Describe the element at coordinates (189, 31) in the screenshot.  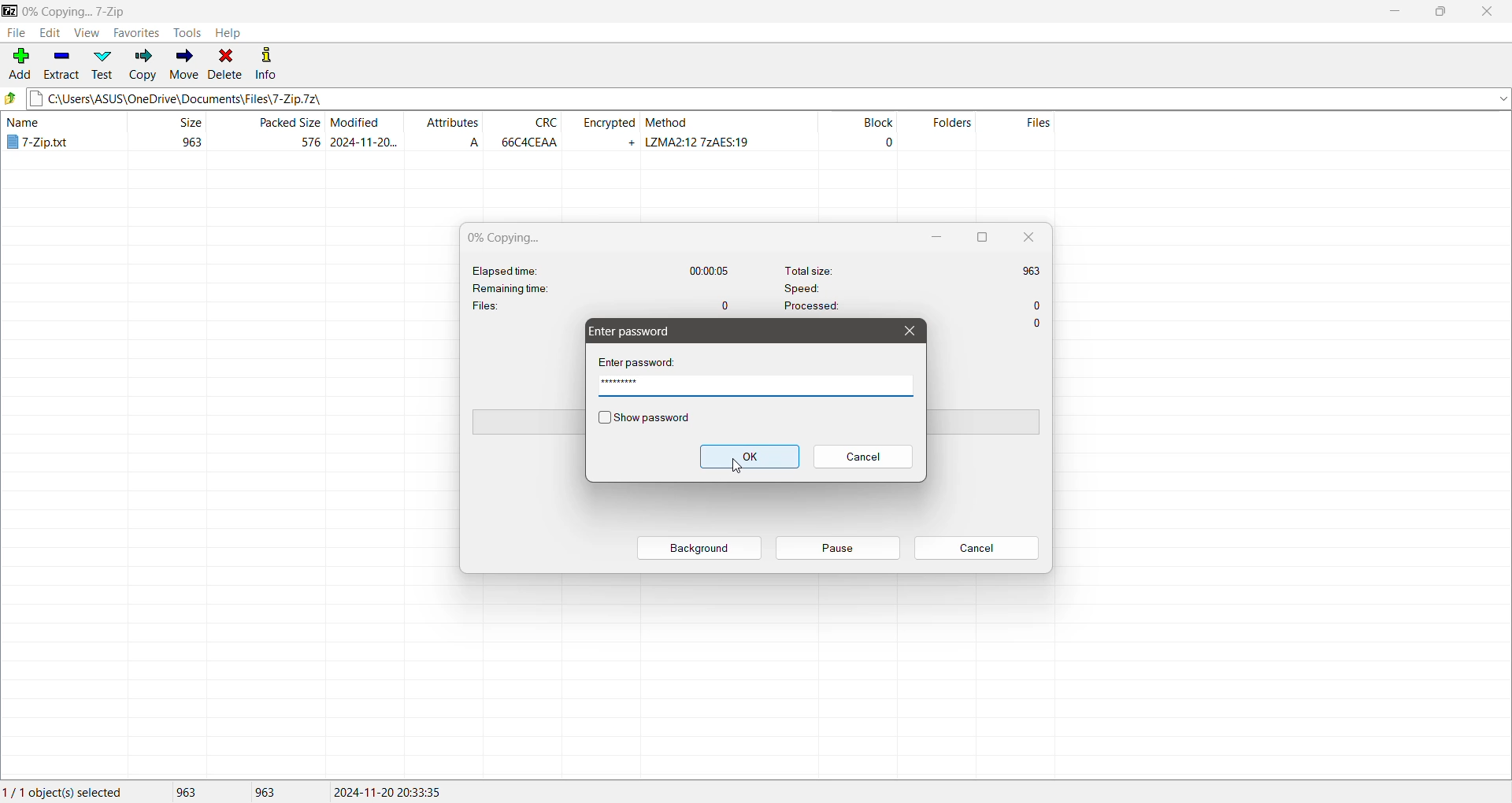
I see `Tools` at that location.